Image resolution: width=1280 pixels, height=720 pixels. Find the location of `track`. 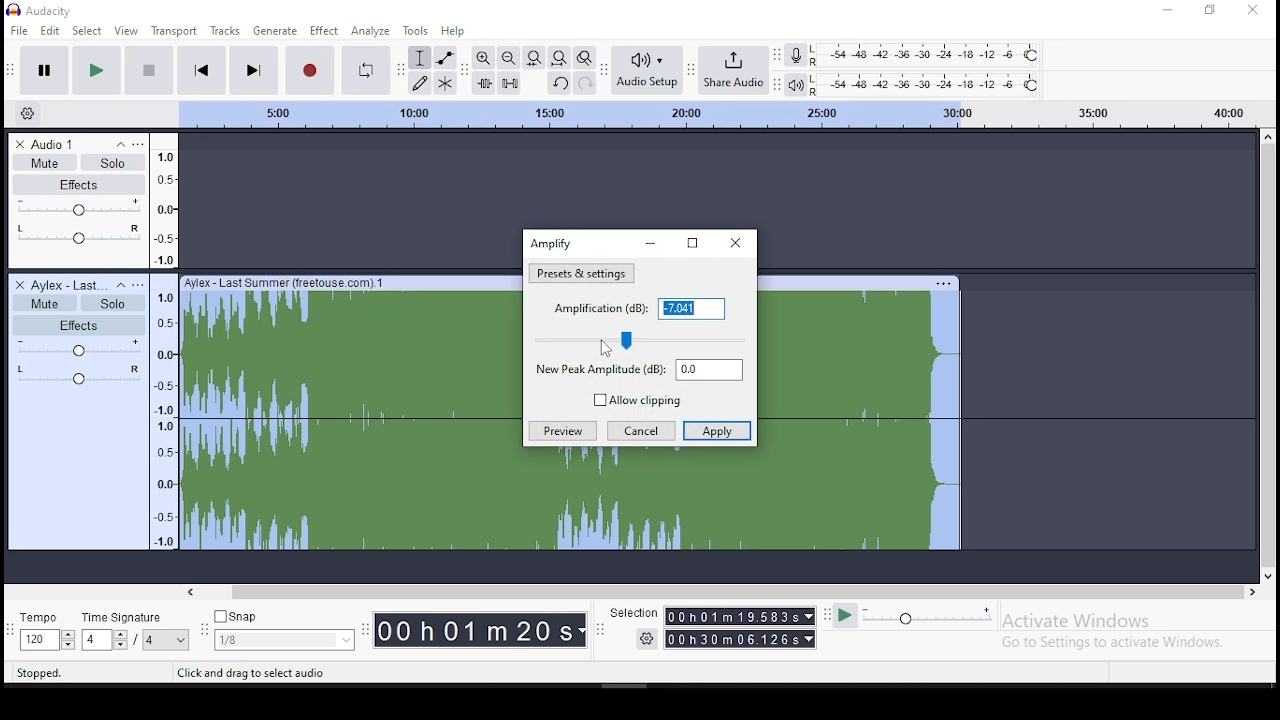

track is located at coordinates (355, 421).